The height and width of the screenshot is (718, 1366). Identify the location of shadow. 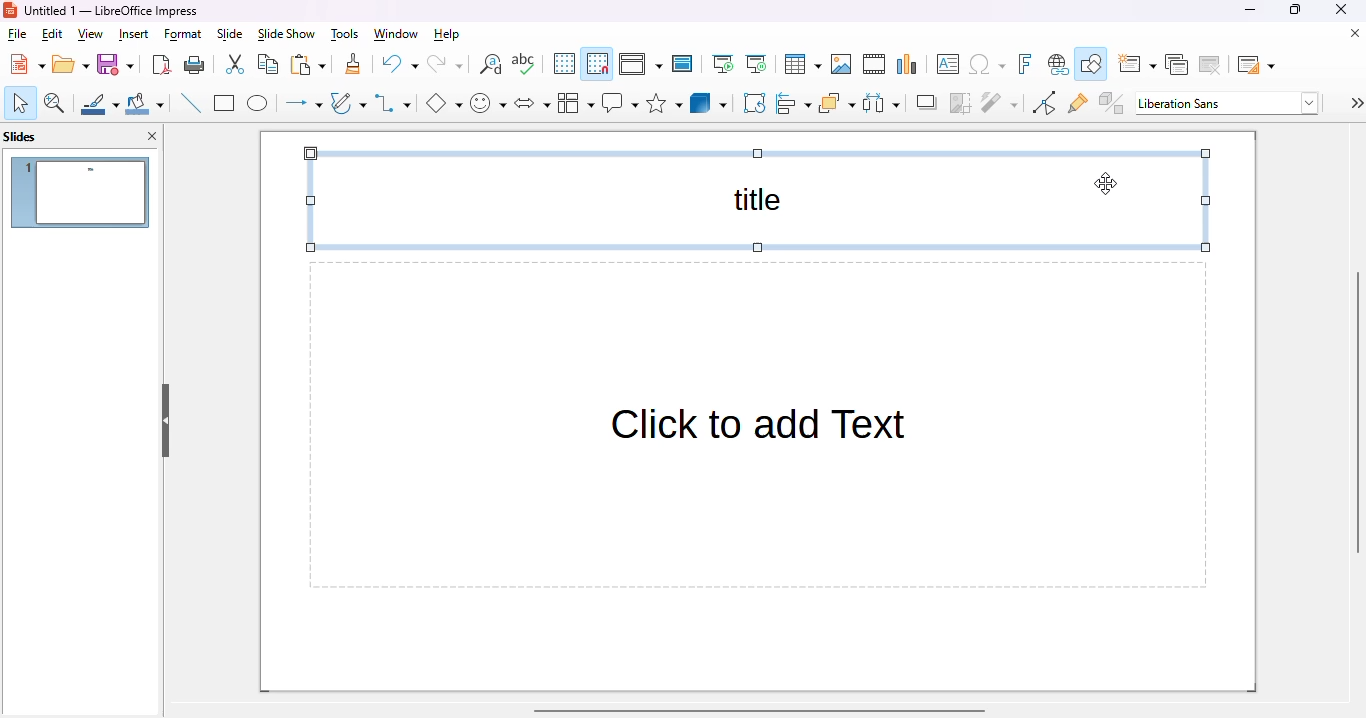
(925, 103).